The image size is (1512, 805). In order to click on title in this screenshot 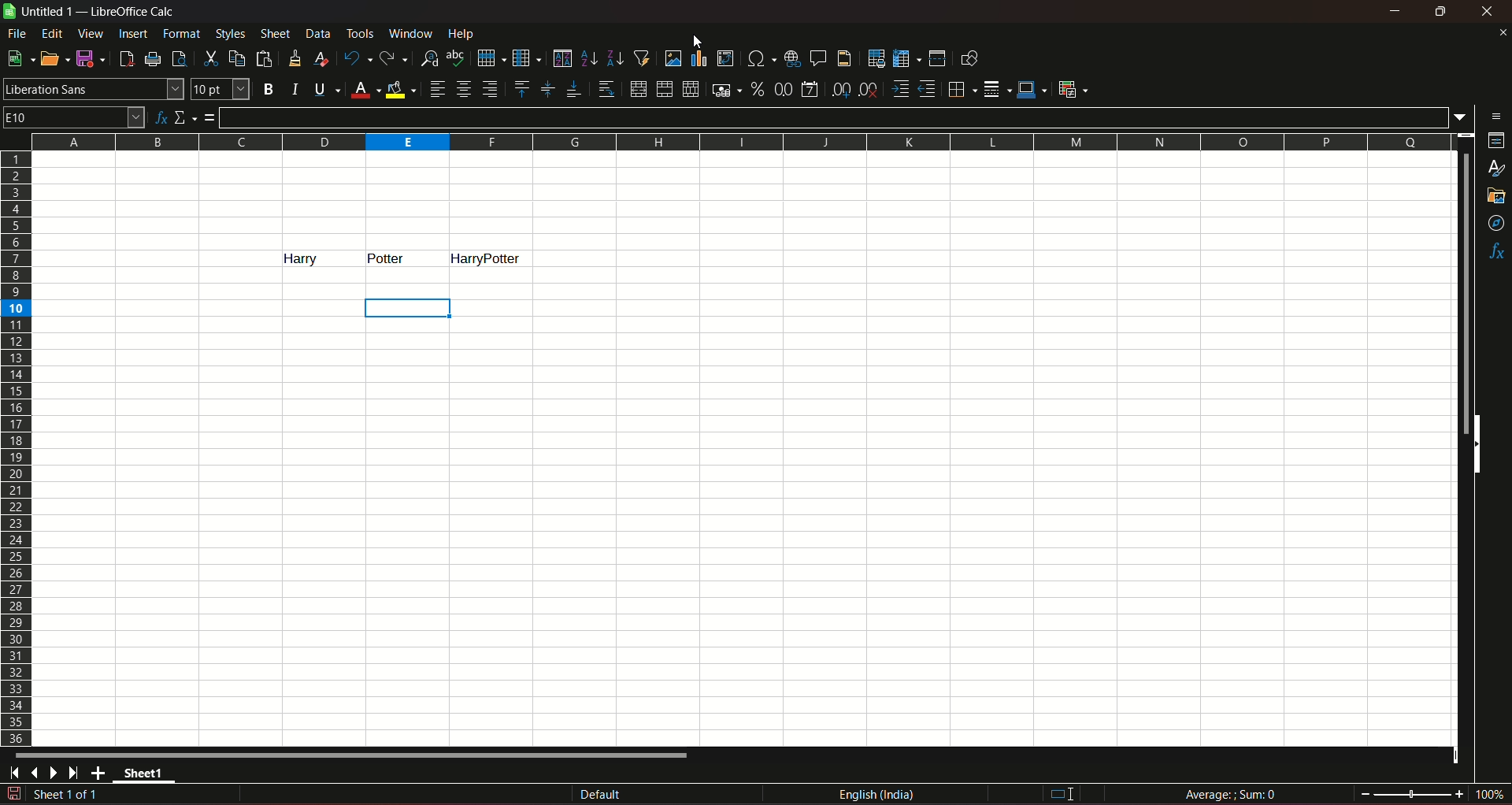, I will do `click(134, 12)`.